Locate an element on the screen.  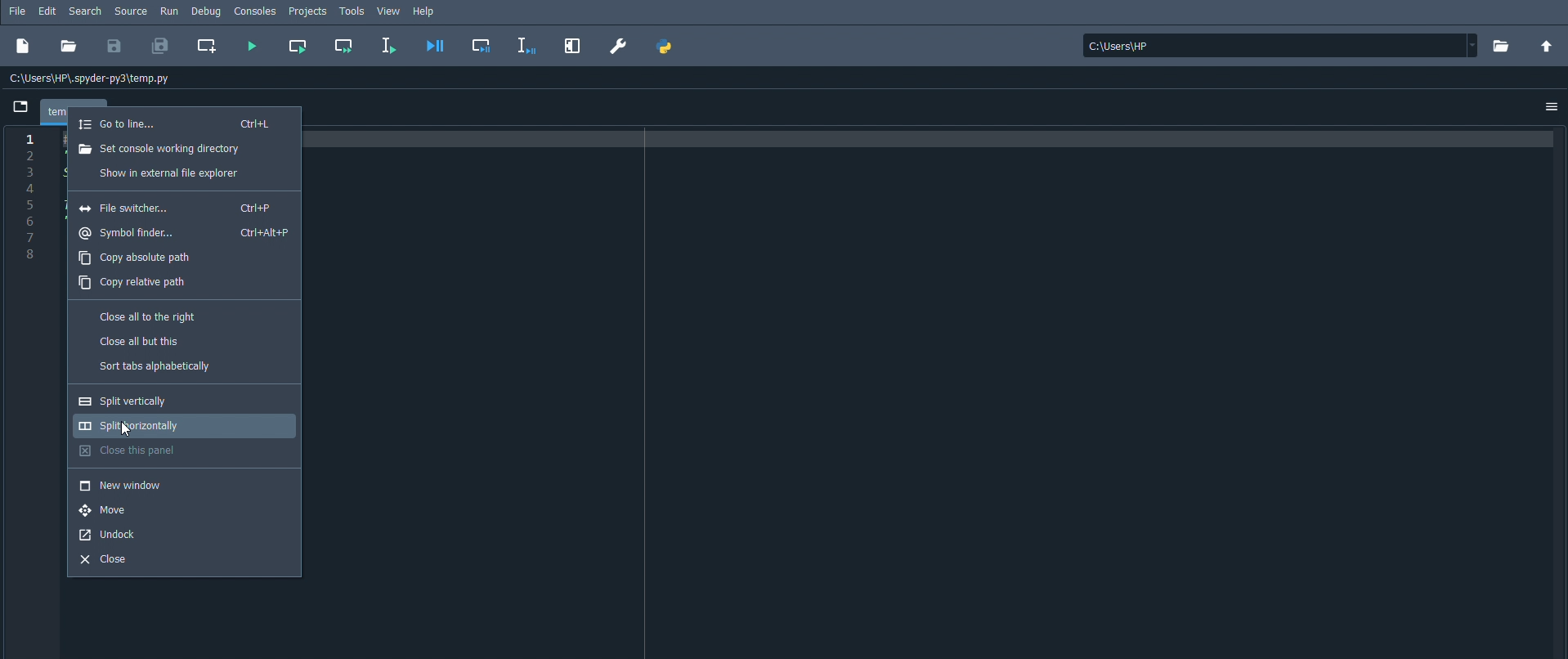
Tools is located at coordinates (352, 11).